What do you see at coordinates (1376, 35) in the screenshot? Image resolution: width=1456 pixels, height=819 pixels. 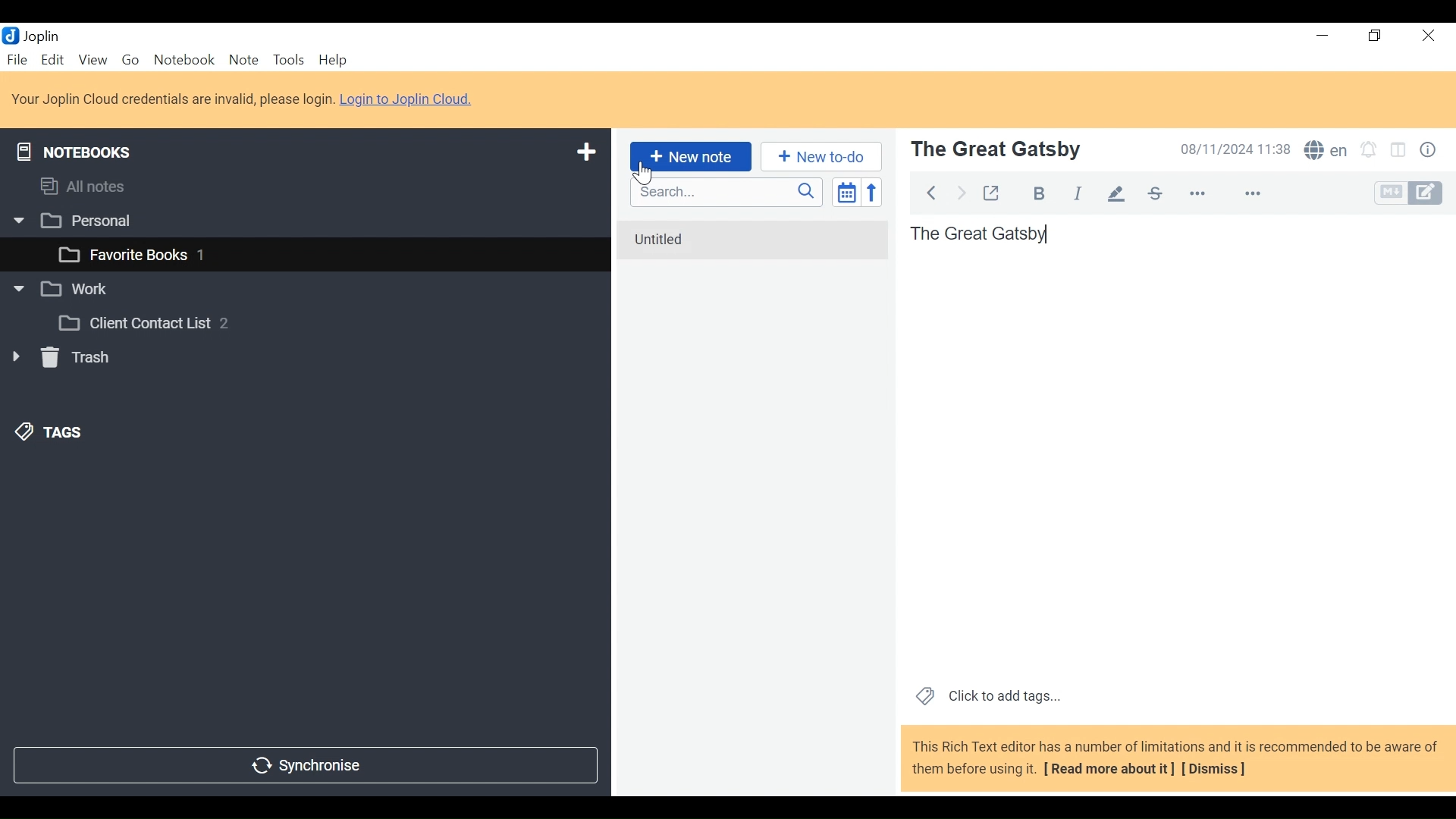 I see `Restore` at bounding box center [1376, 35].